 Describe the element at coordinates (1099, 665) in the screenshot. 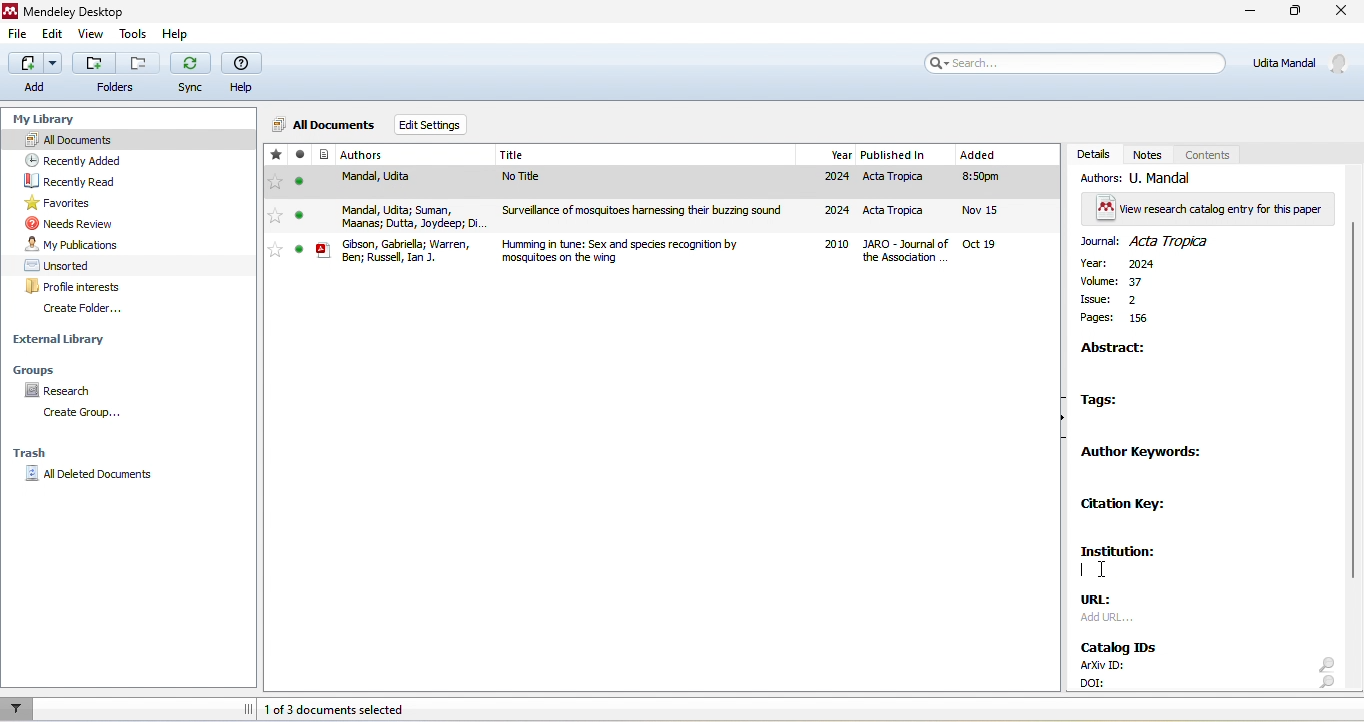

I see `ar-xiv id` at that location.